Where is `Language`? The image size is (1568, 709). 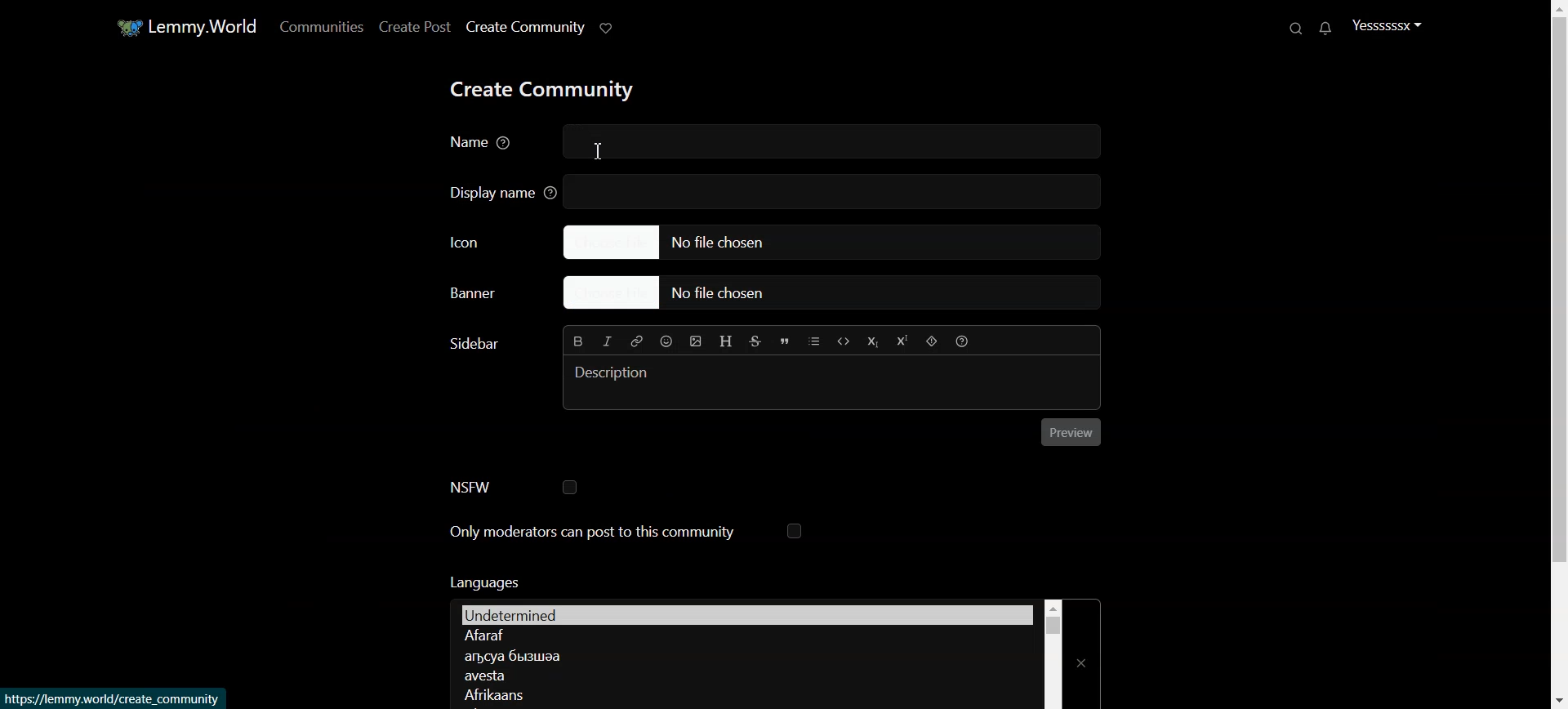
Language is located at coordinates (746, 615).